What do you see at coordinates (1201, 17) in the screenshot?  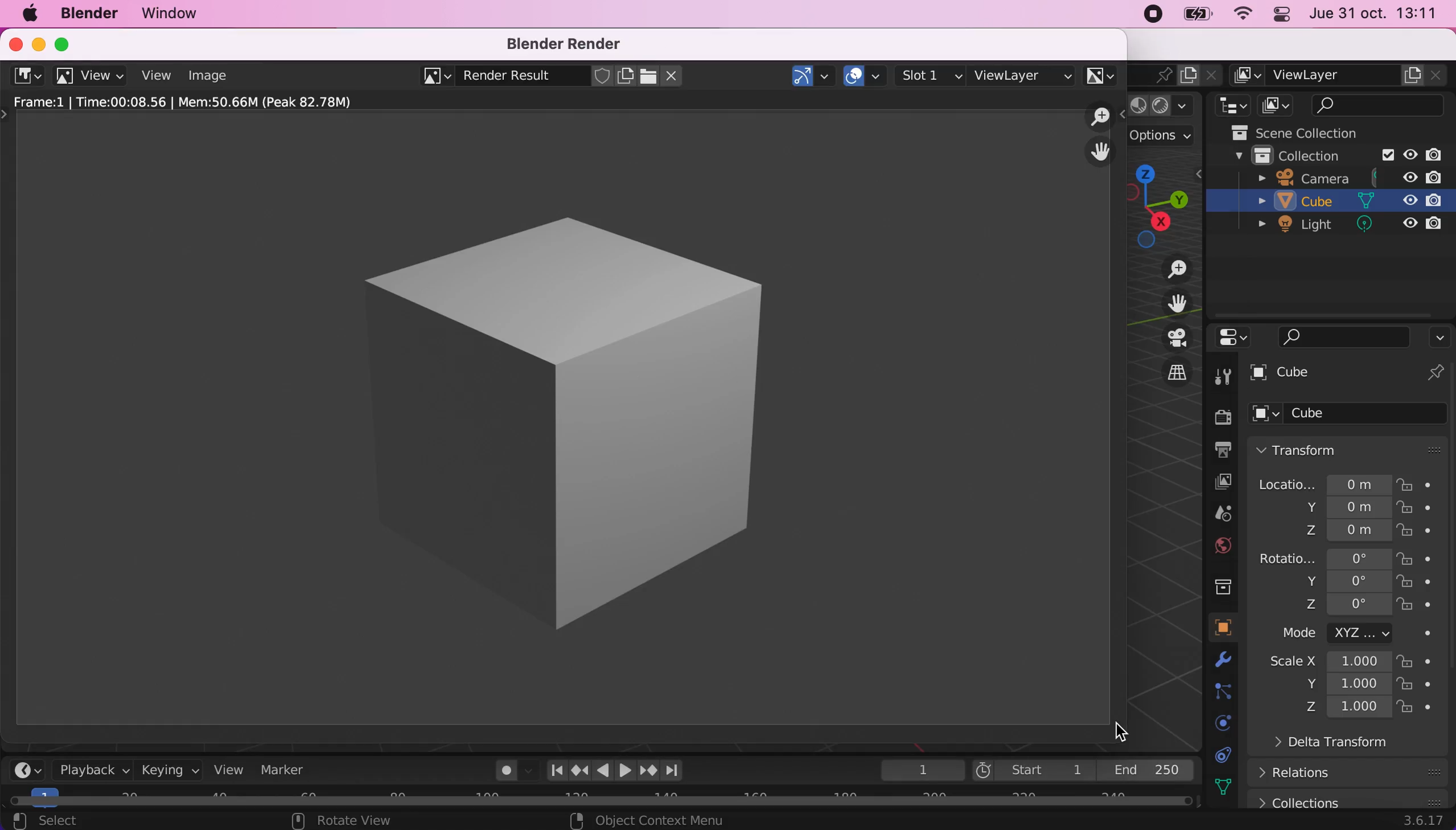 I see `battery` at bounding box center [1201, 17].